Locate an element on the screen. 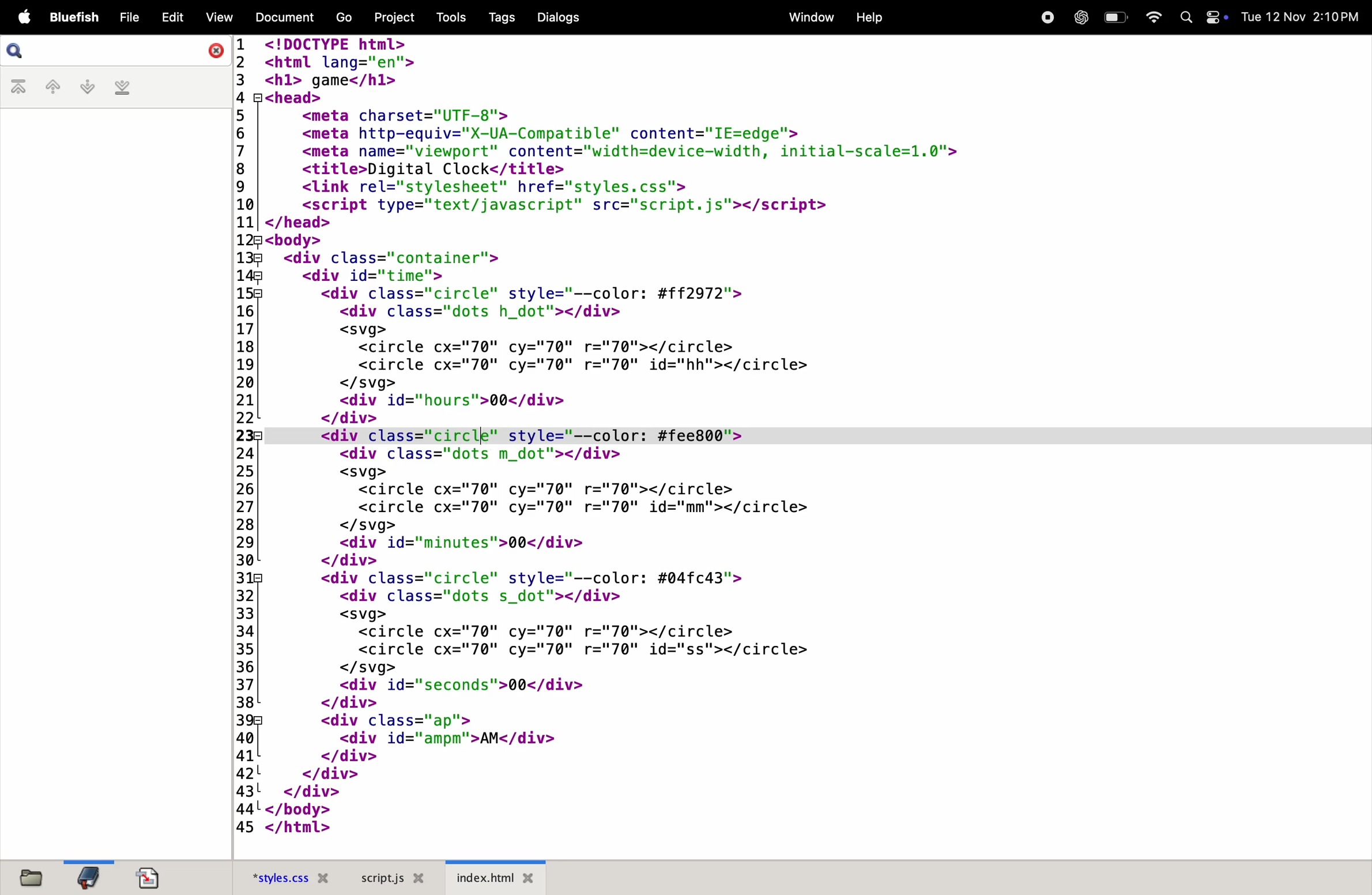 The width and height of the screenshot is (1372, 895). dialogs is located at coordinates (559, 16).